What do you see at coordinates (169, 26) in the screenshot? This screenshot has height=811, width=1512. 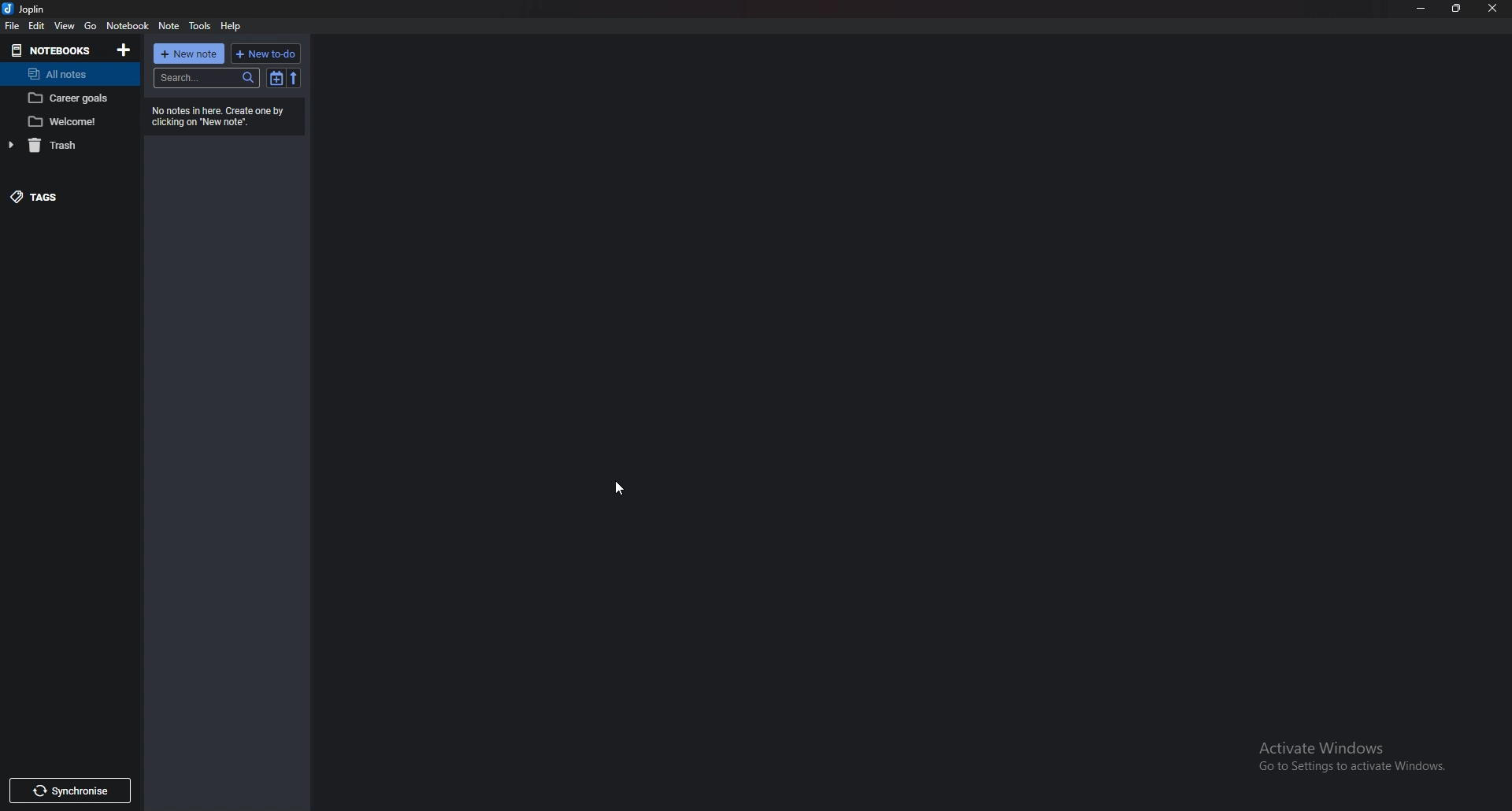 I see `note` at bounding box center [169, 26].